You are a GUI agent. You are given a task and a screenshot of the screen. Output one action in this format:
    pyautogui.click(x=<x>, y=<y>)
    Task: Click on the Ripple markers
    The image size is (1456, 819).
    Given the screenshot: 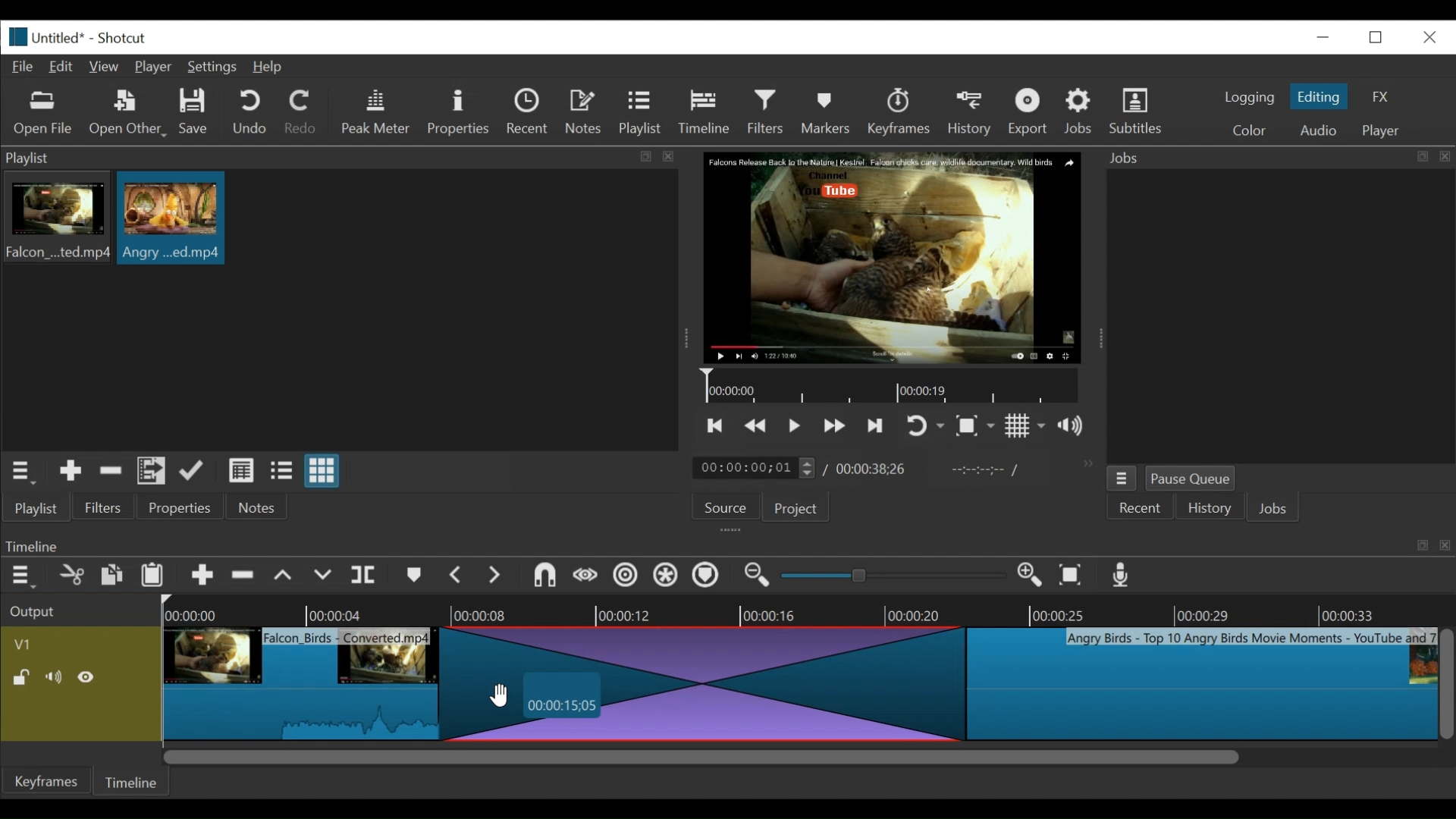 What is the action you would take?
    pyautogui.click(x=709, y=577)
    